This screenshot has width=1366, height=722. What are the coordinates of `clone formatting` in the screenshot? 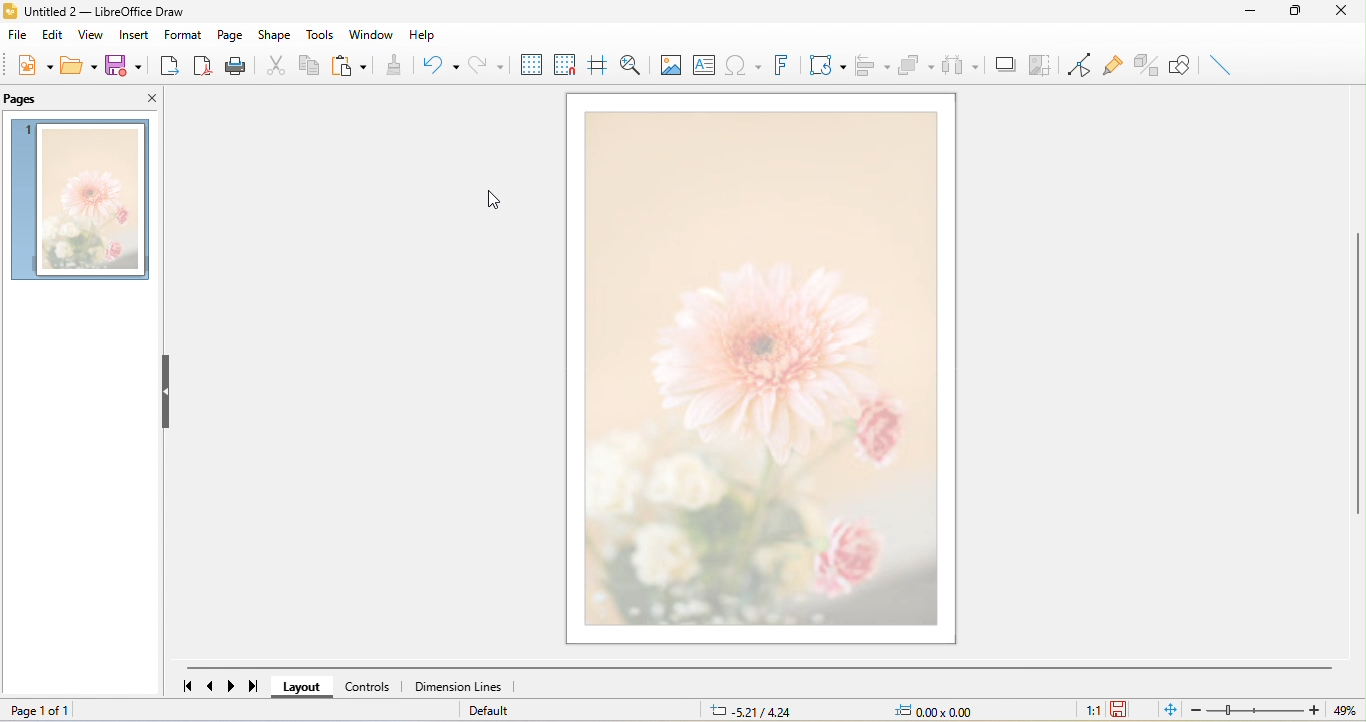 It's located at (393, 64).